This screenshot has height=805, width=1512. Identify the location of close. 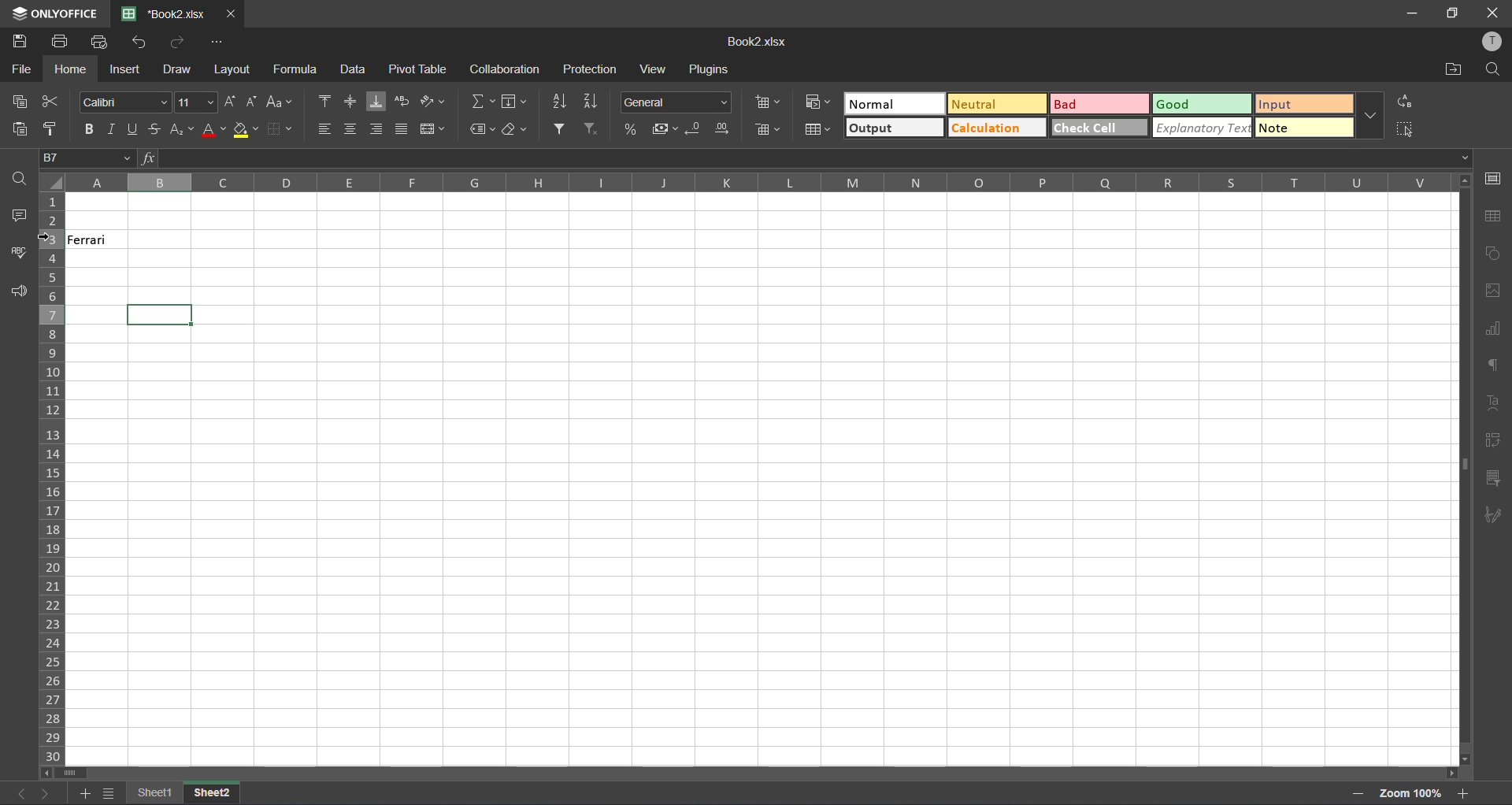
(1496, 12).